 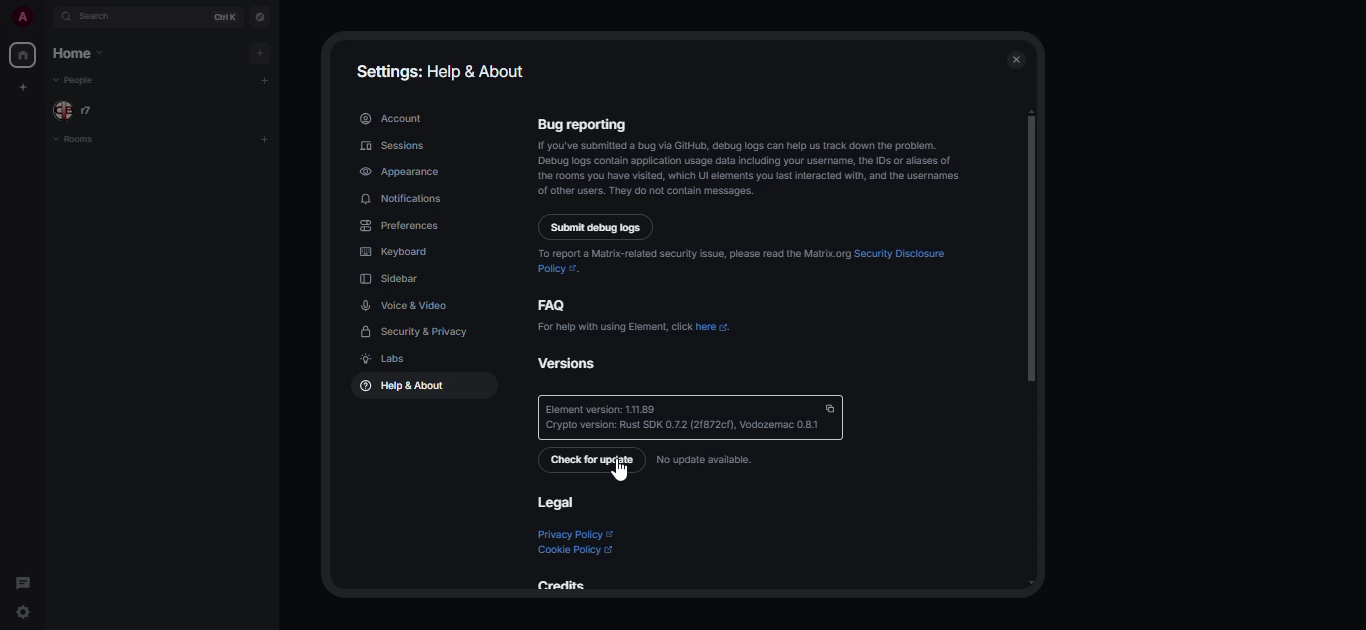 I want to click on expand, so click(x=48, y=16).